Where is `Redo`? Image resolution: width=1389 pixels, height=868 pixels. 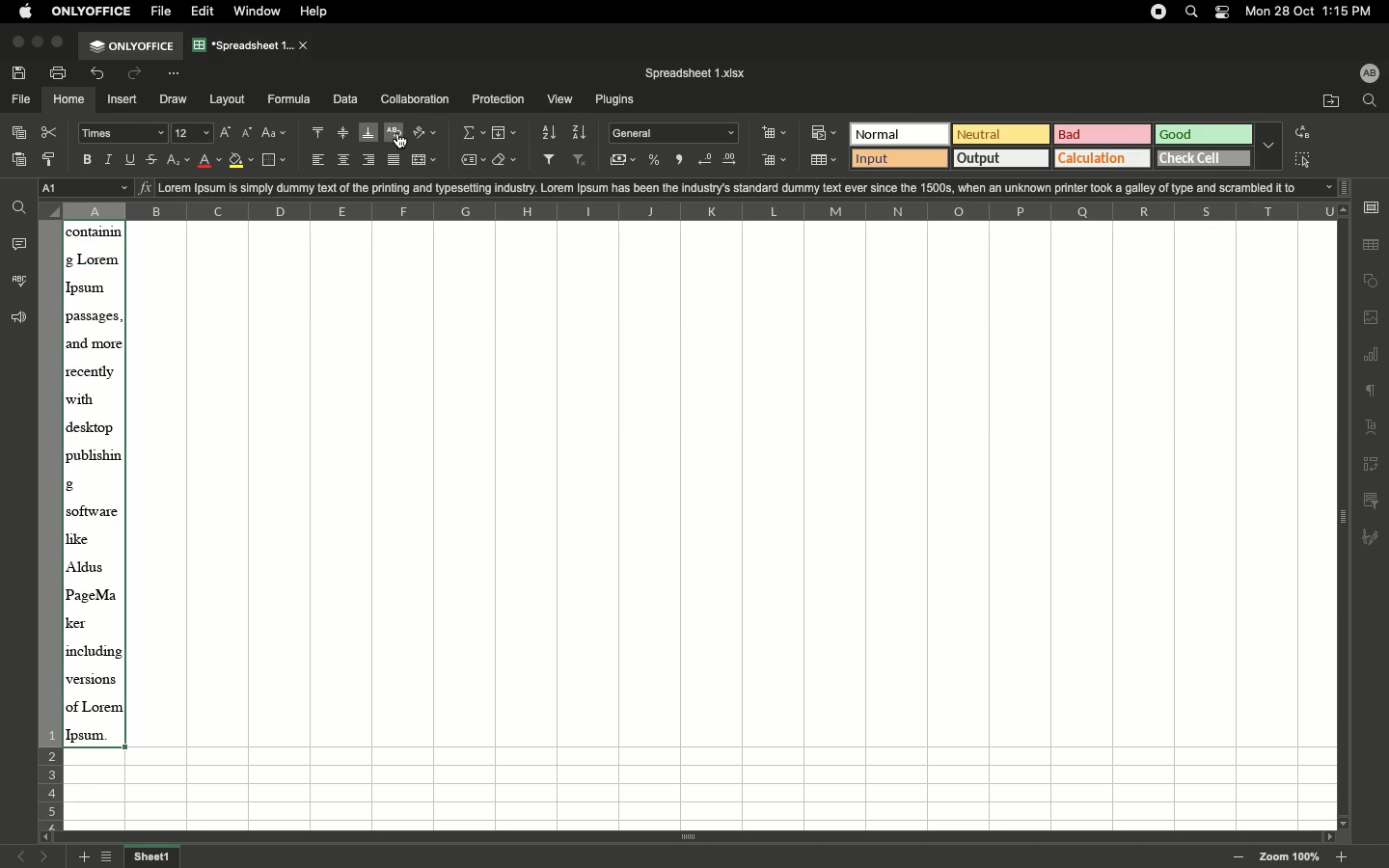 Redo is located at coordinates (141, 73).